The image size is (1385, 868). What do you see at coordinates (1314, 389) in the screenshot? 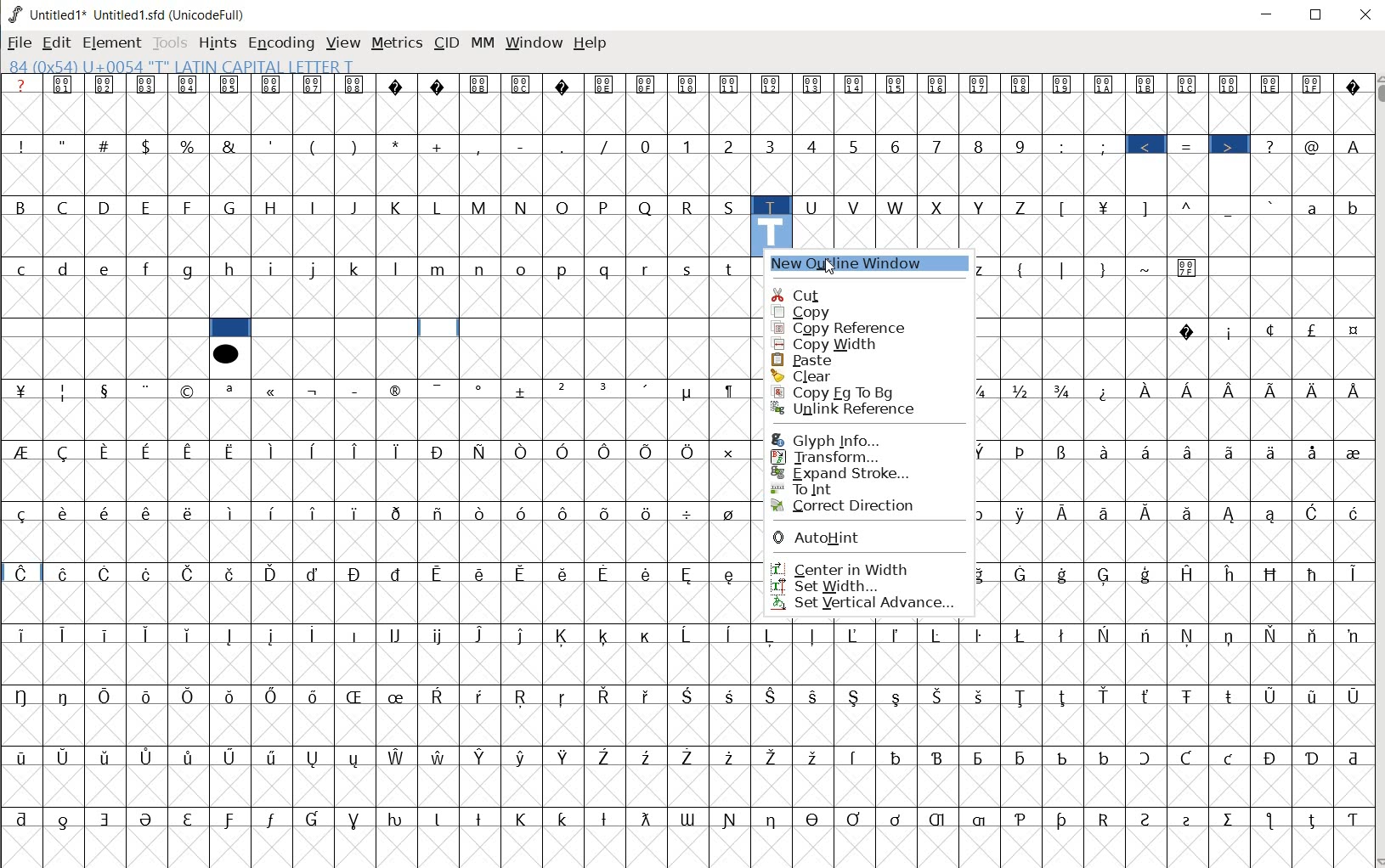
I see `Symbol` at bounding box center [1314, 389].